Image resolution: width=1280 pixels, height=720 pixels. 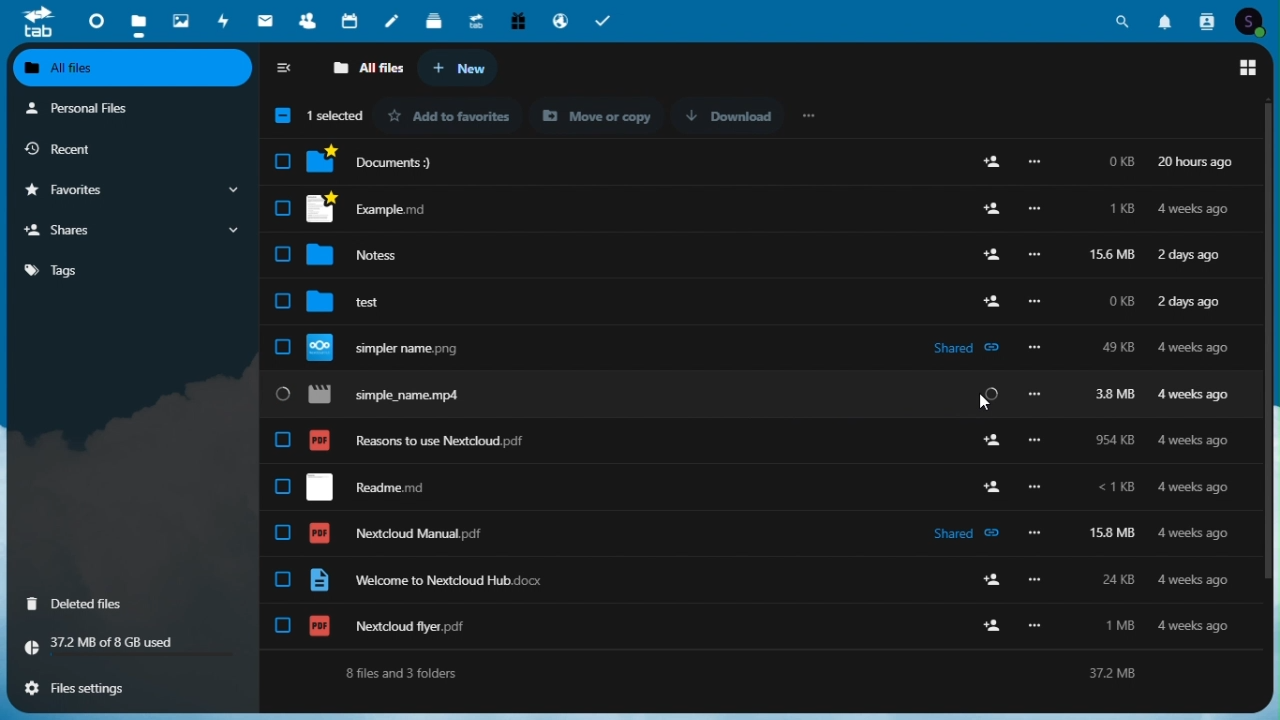 What do you see at coordinates (393, 22) in the screenshot?
I see `notes` at bounding box center [393, 22].